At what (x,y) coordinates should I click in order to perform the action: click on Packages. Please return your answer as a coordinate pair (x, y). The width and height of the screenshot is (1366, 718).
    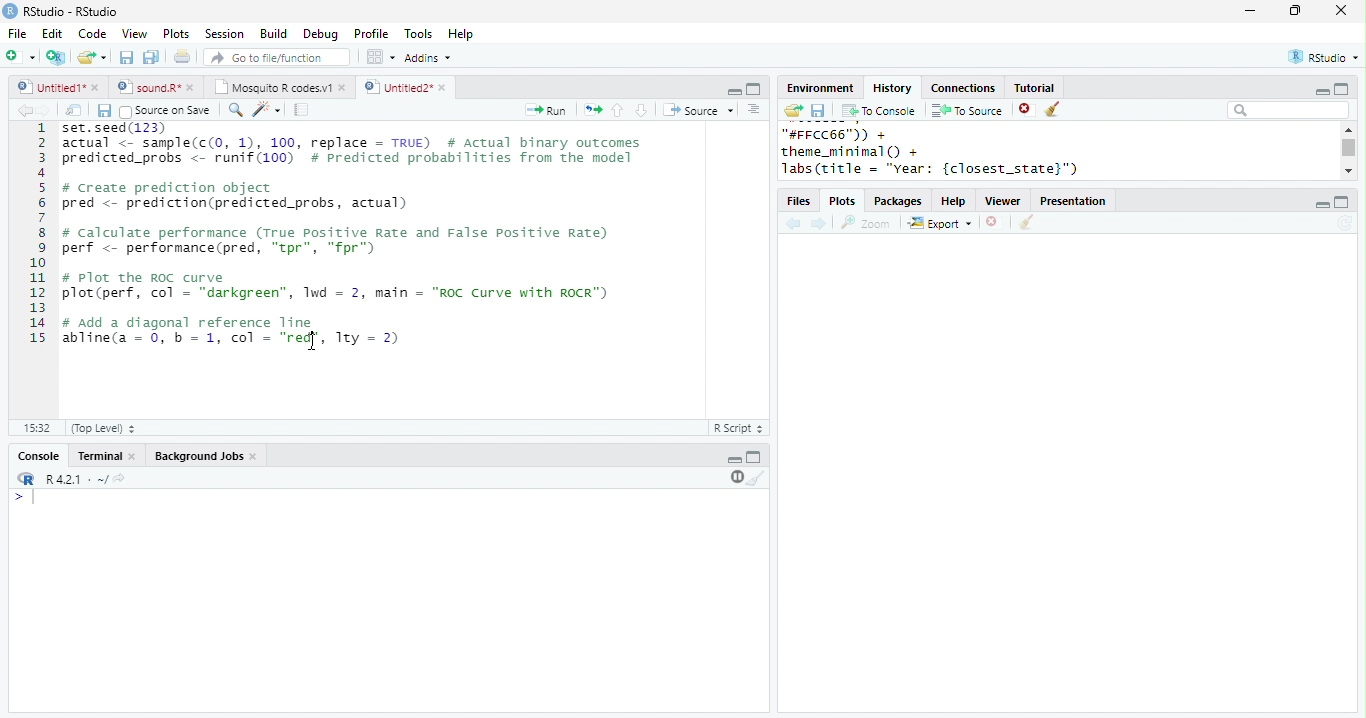
    Looking at the image, I should click on (898, 202).